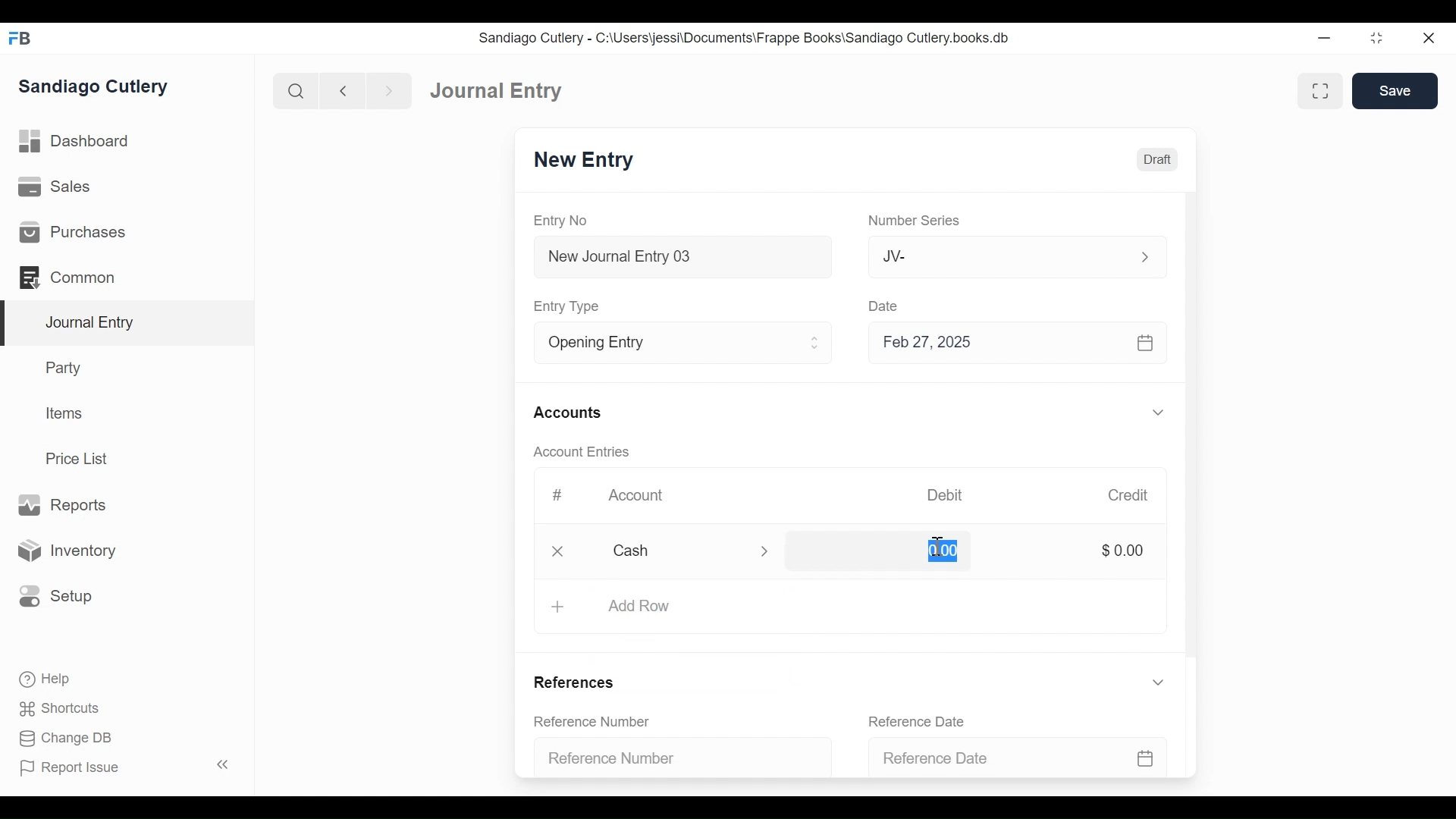  What do you see at coordinates (639, 496) in the screenshot?
I see `Account` at bounding box center [639, 496].